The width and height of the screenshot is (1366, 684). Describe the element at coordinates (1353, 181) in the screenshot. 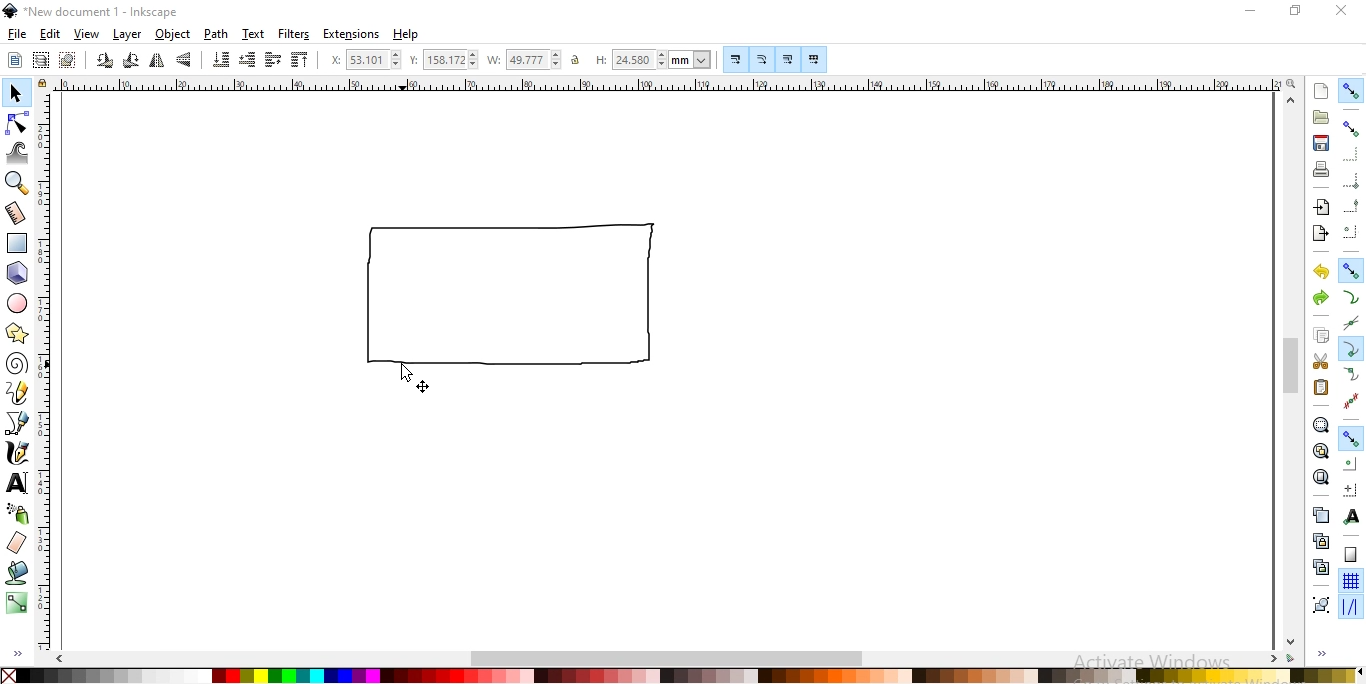

I see `snap bounding box corners` at that location.